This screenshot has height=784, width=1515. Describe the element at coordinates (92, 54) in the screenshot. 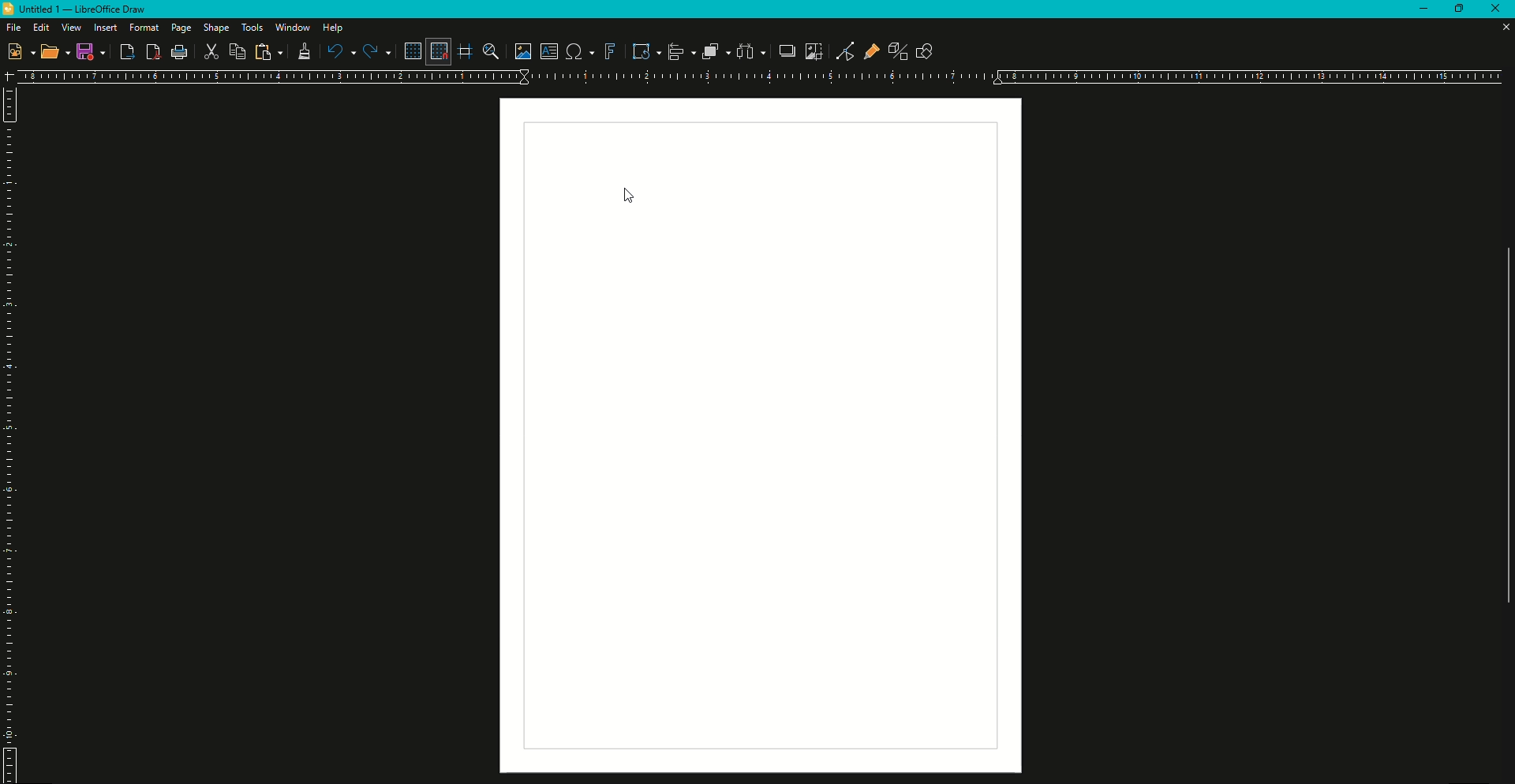

I see `Save` at that location.